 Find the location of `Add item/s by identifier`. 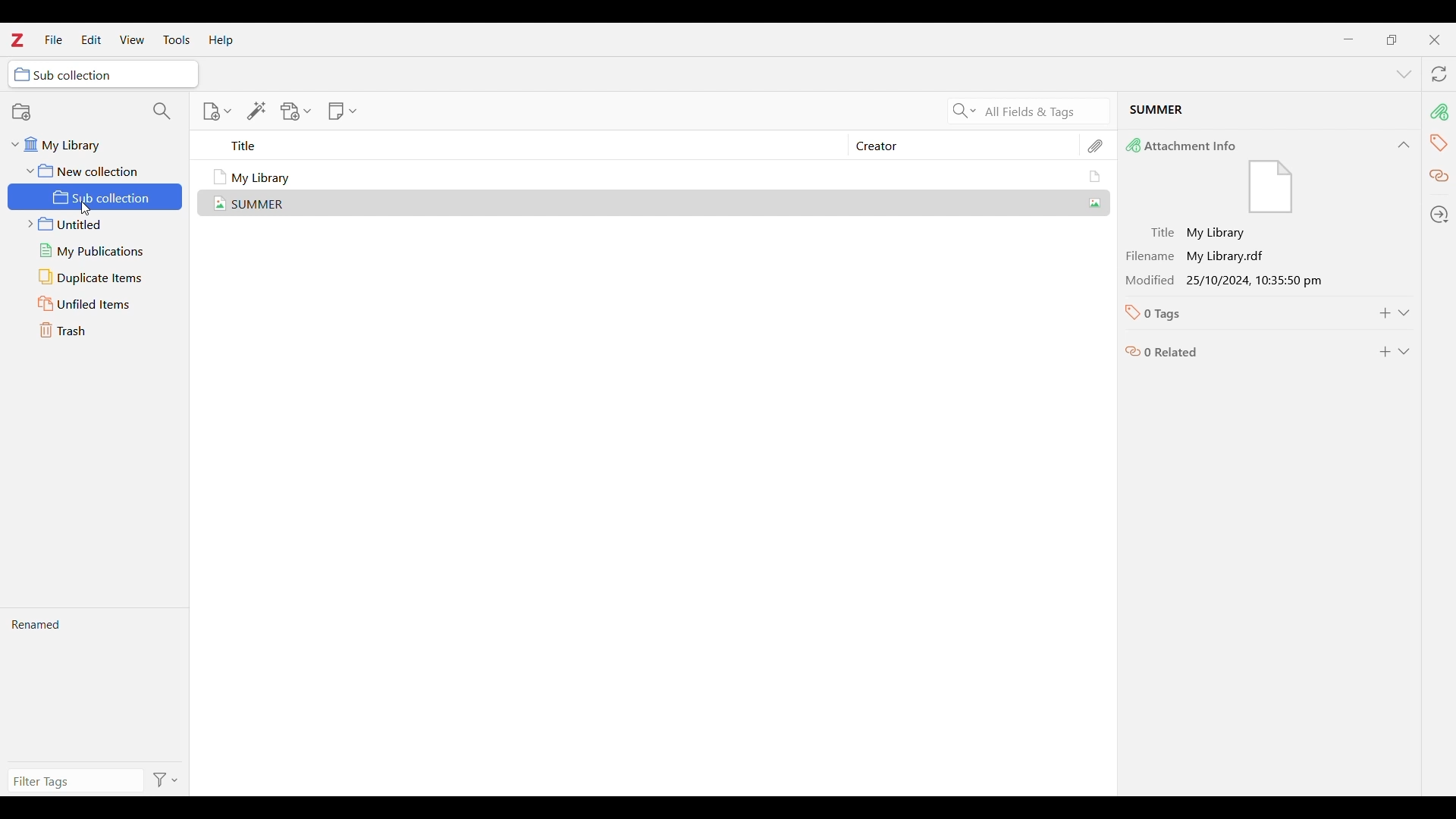

Add item/s by identifier is located at coordinates (257, 111).